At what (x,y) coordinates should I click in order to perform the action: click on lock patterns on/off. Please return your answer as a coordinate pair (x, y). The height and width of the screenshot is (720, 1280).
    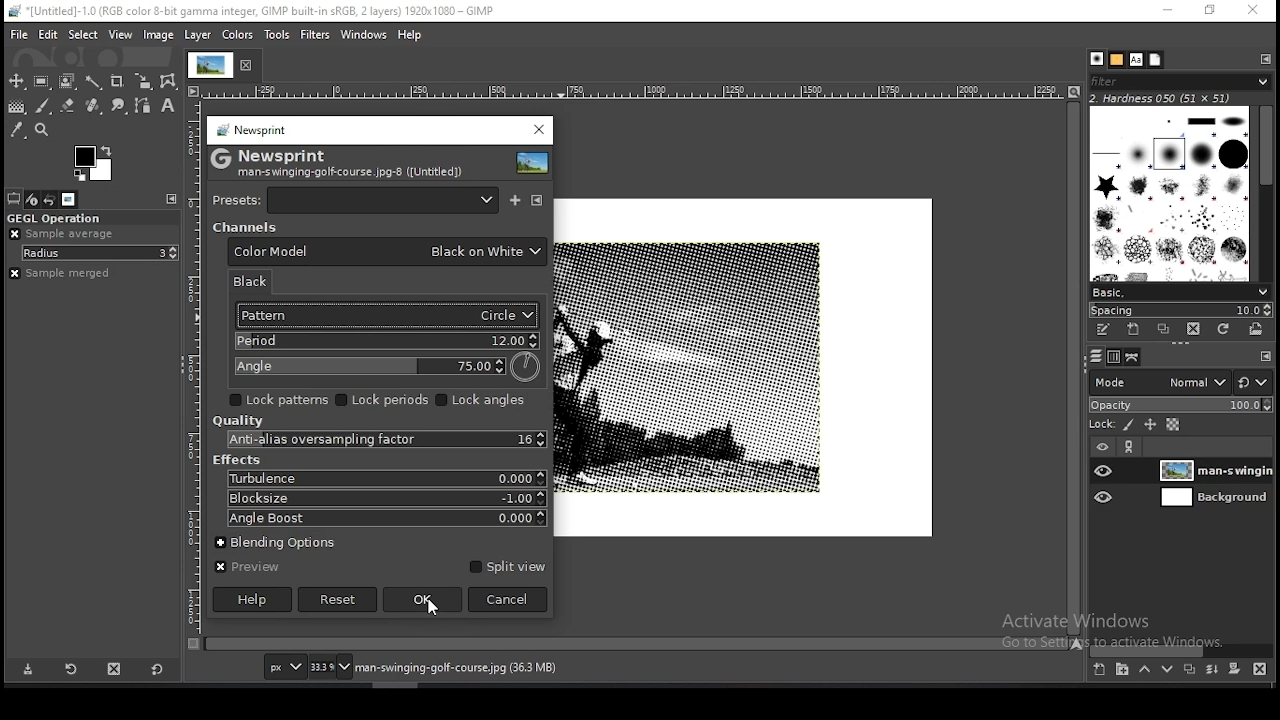
    Looking at the image, I should click on (280, 399).